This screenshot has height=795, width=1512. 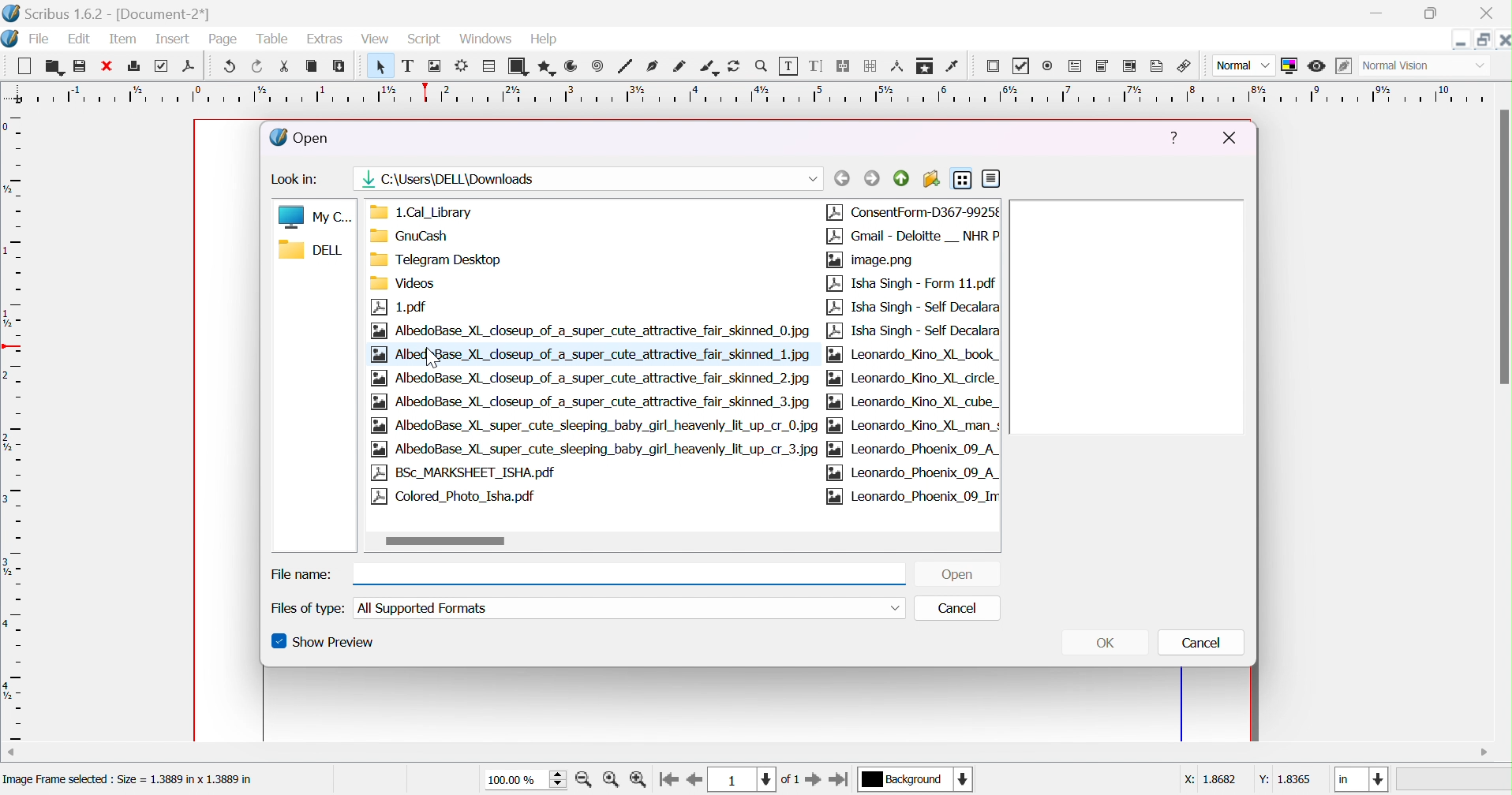 I want to click on Leonardo_Kino_XL_circle_, so click(x=908, y=379).